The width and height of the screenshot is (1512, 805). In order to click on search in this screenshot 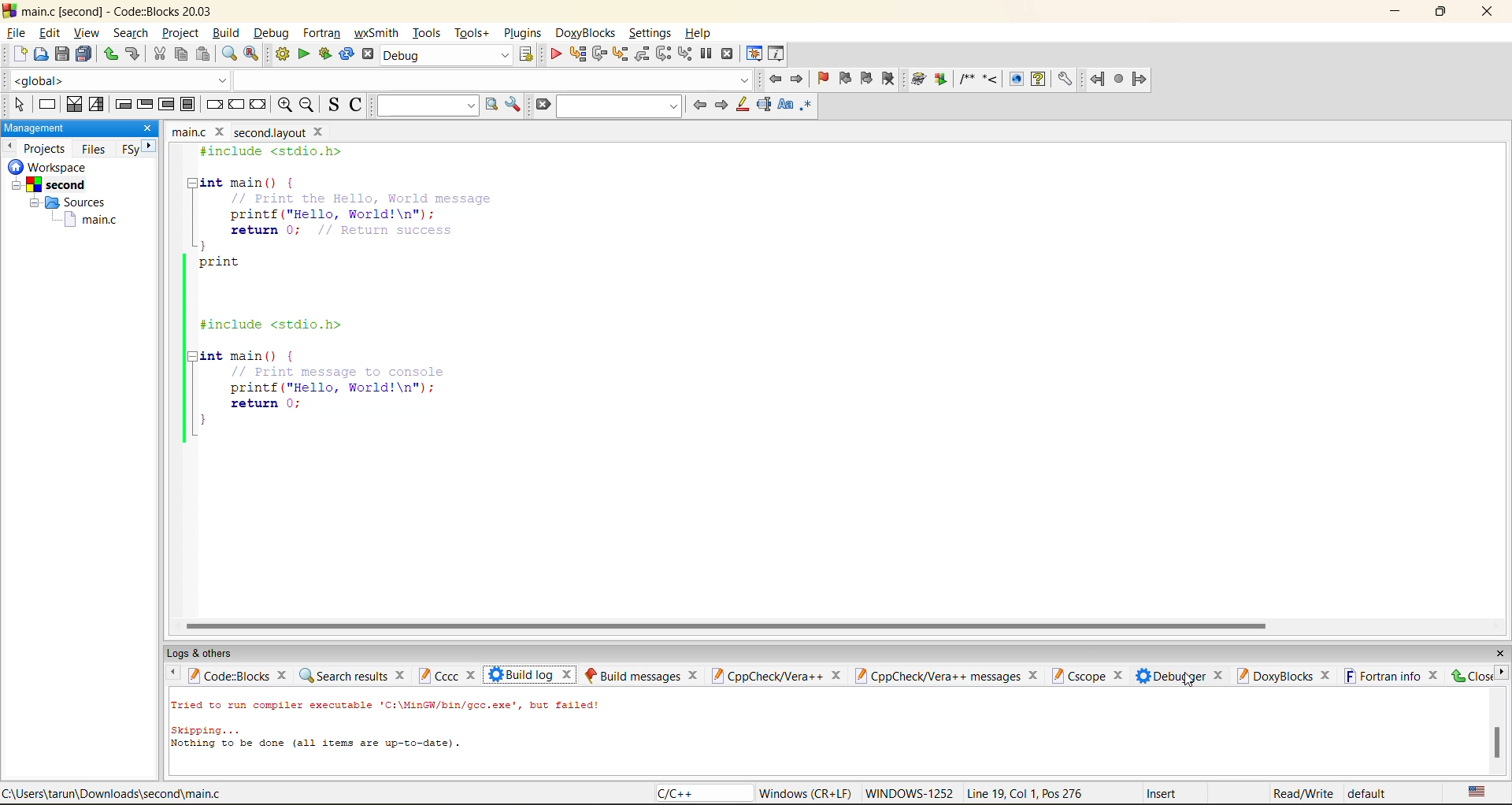, I will do `click(617, 108)`.